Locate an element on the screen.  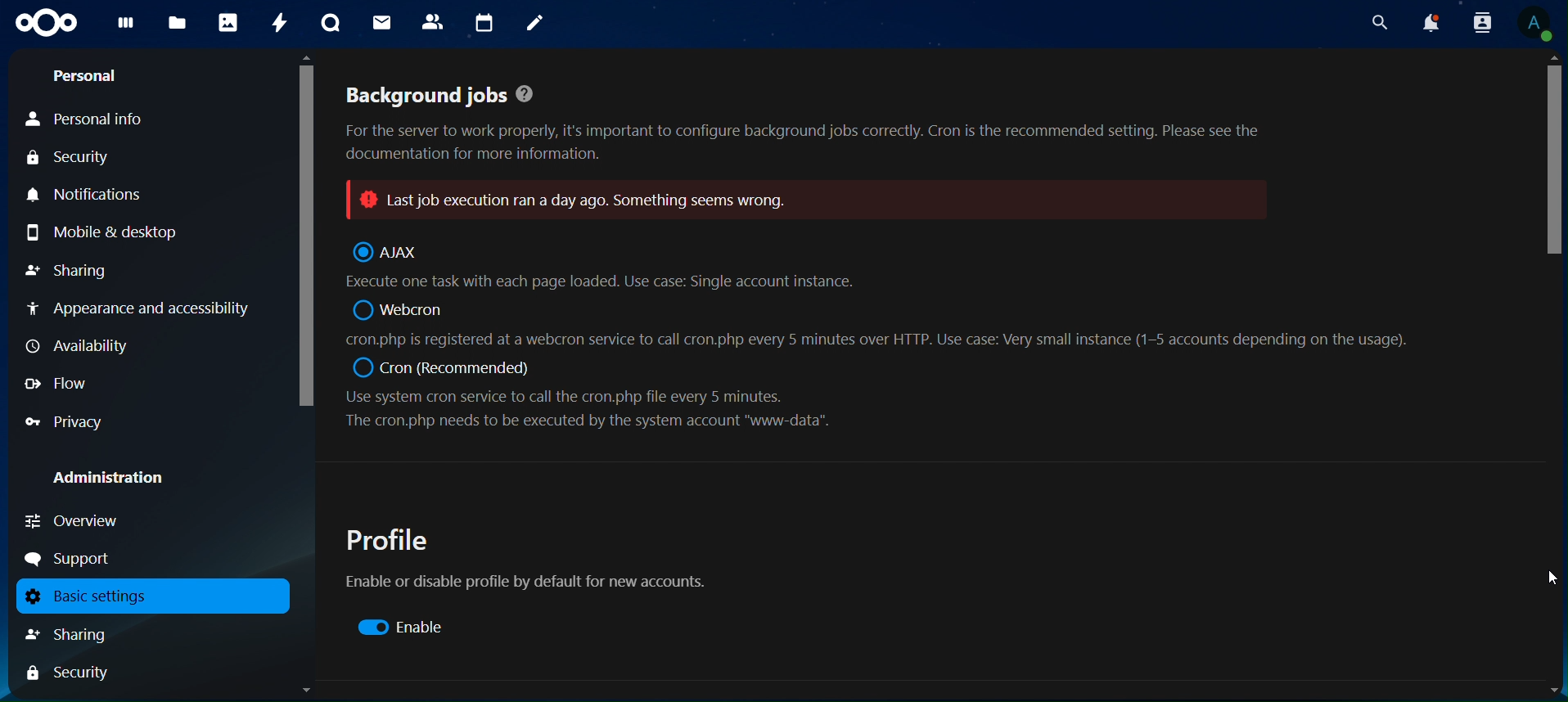
contacts is located at coordinates (436, 23).